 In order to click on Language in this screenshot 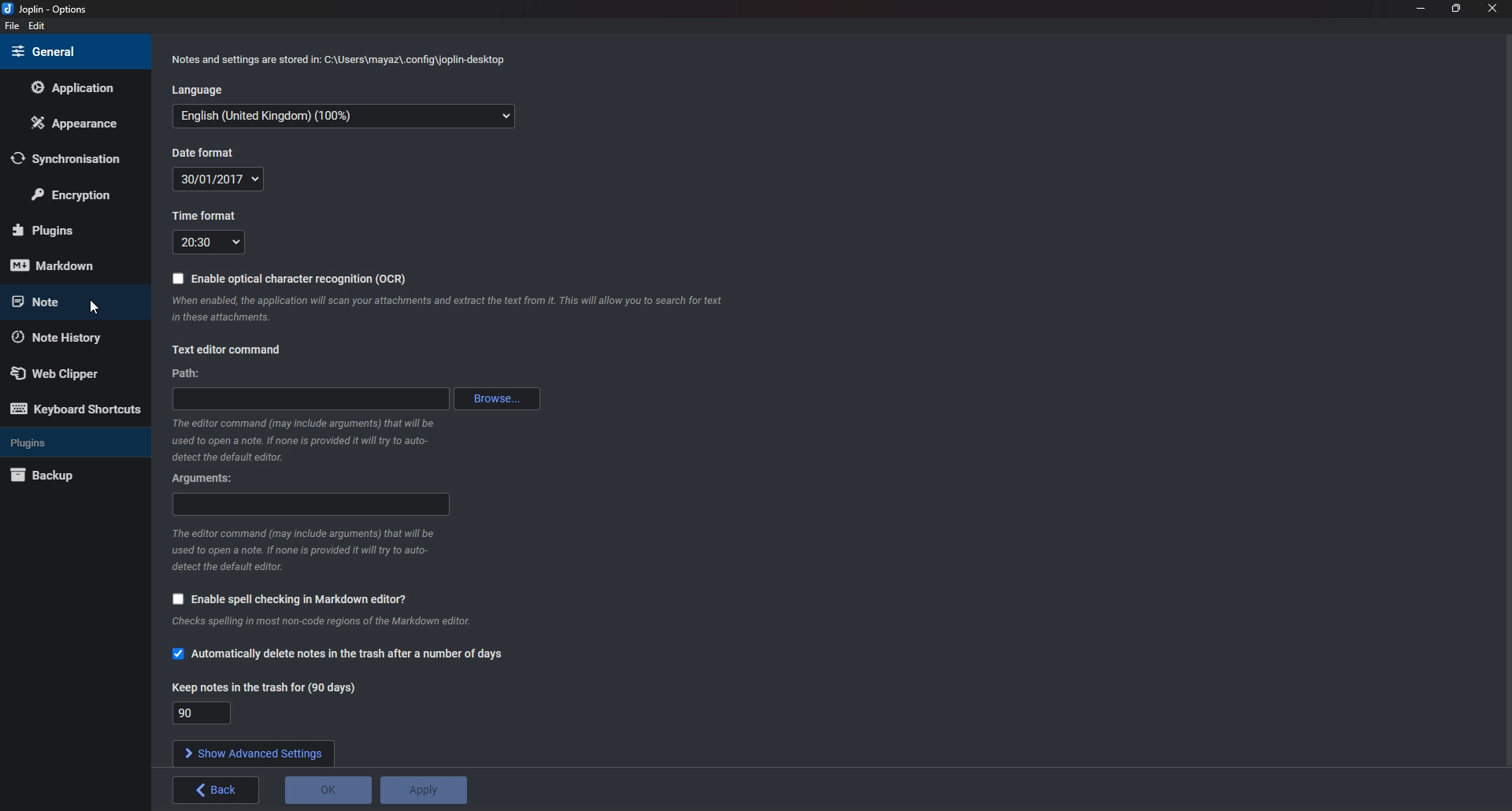, I will do `click(198, 91)`.